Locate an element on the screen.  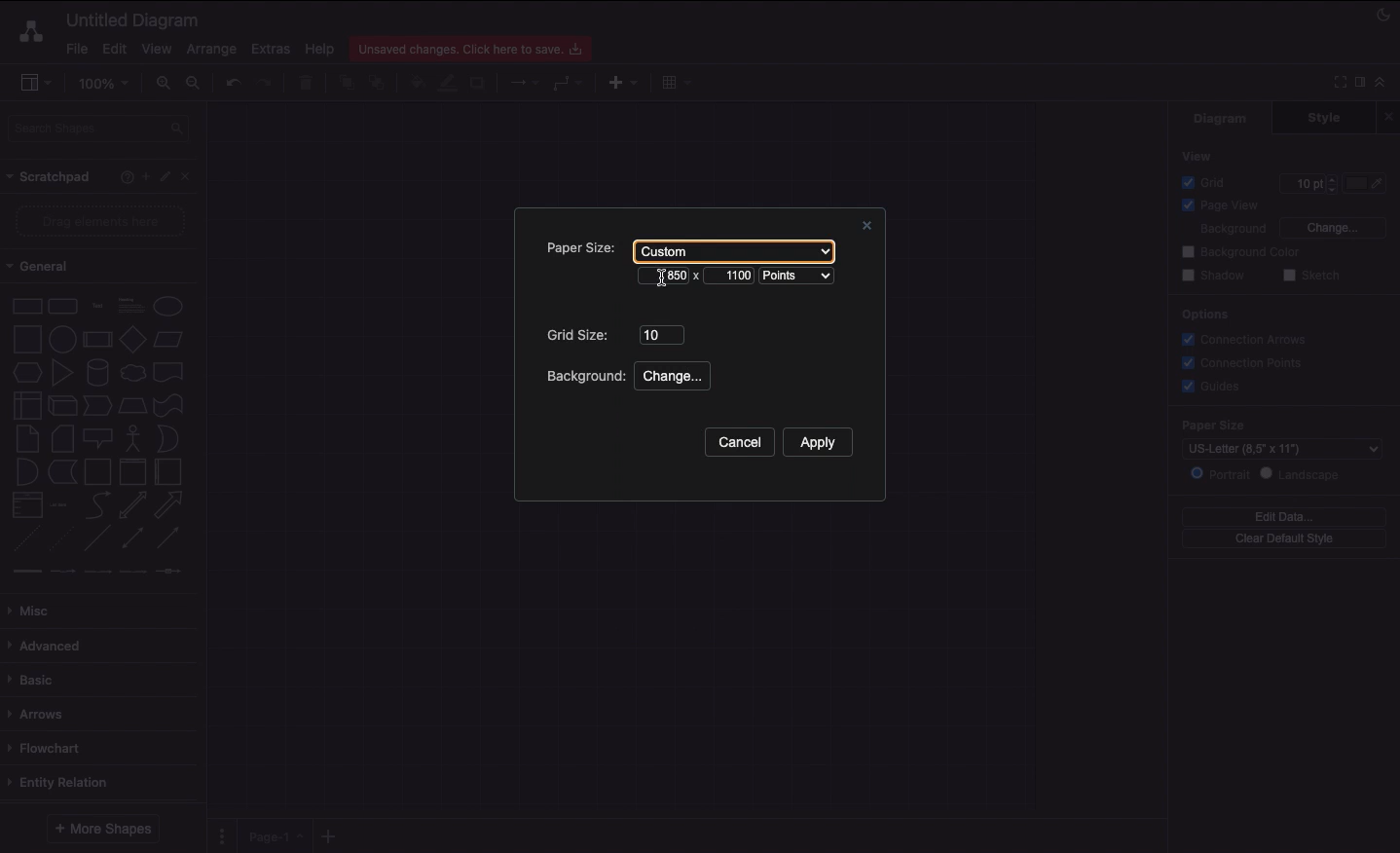
connector 5 is located at coordinates (170, 571).